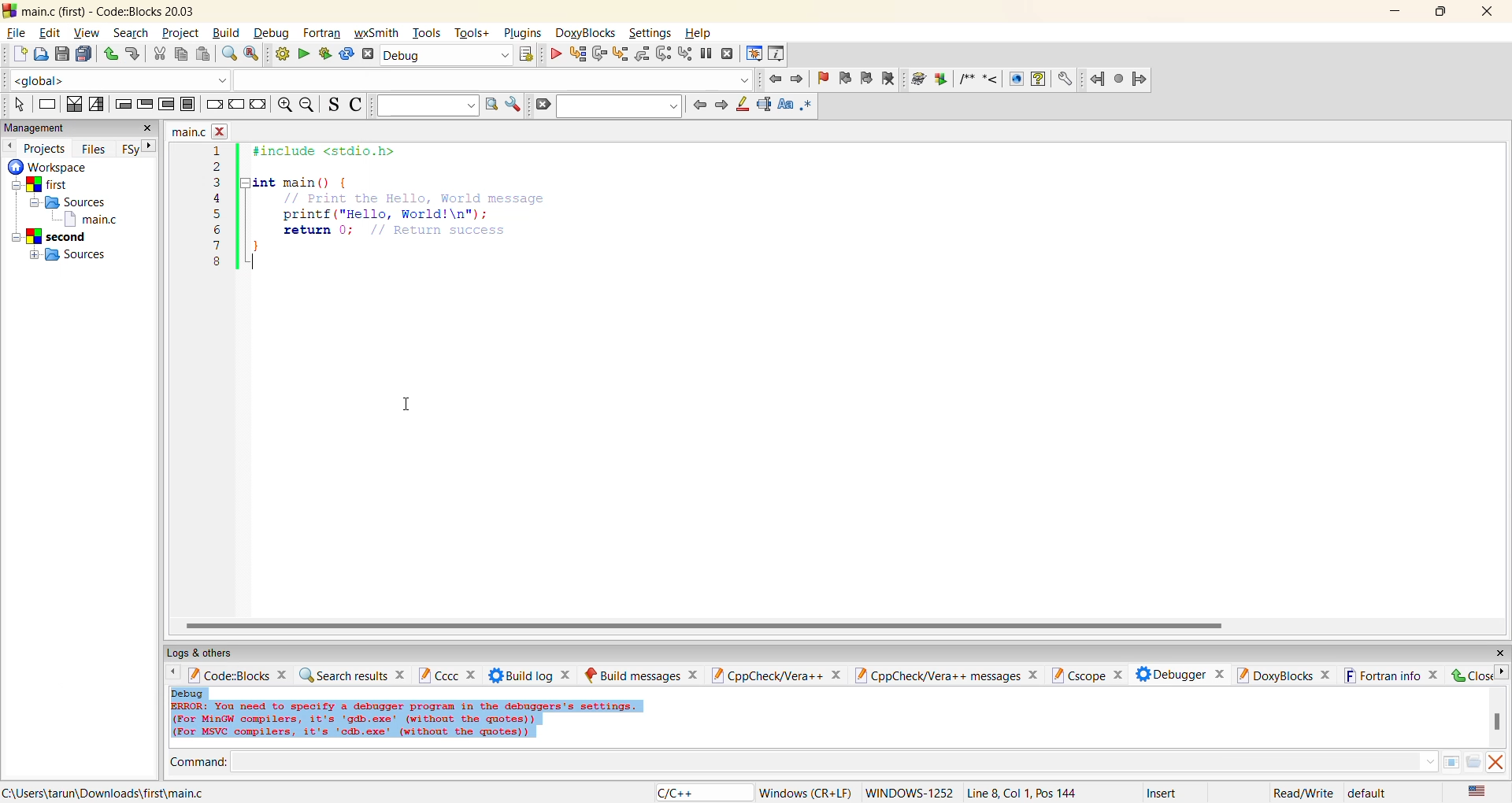 This screenshot has height=803, width=1512. What do you see at coordinates (78, 202) in the screenshot?
I see `Sources` at bounding box center [78, 202].